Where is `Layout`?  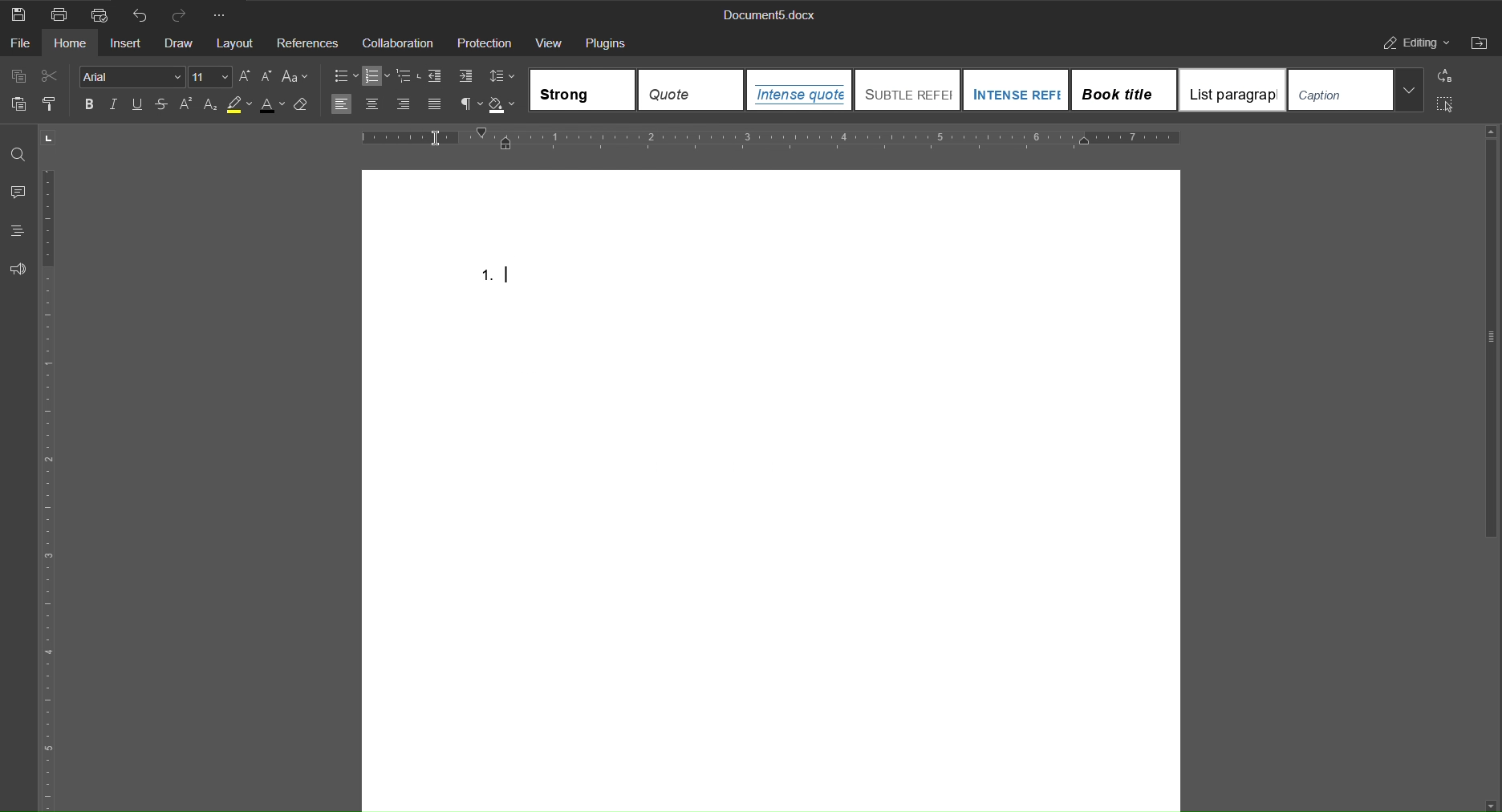 Layout is located at coordinates (239, 45).